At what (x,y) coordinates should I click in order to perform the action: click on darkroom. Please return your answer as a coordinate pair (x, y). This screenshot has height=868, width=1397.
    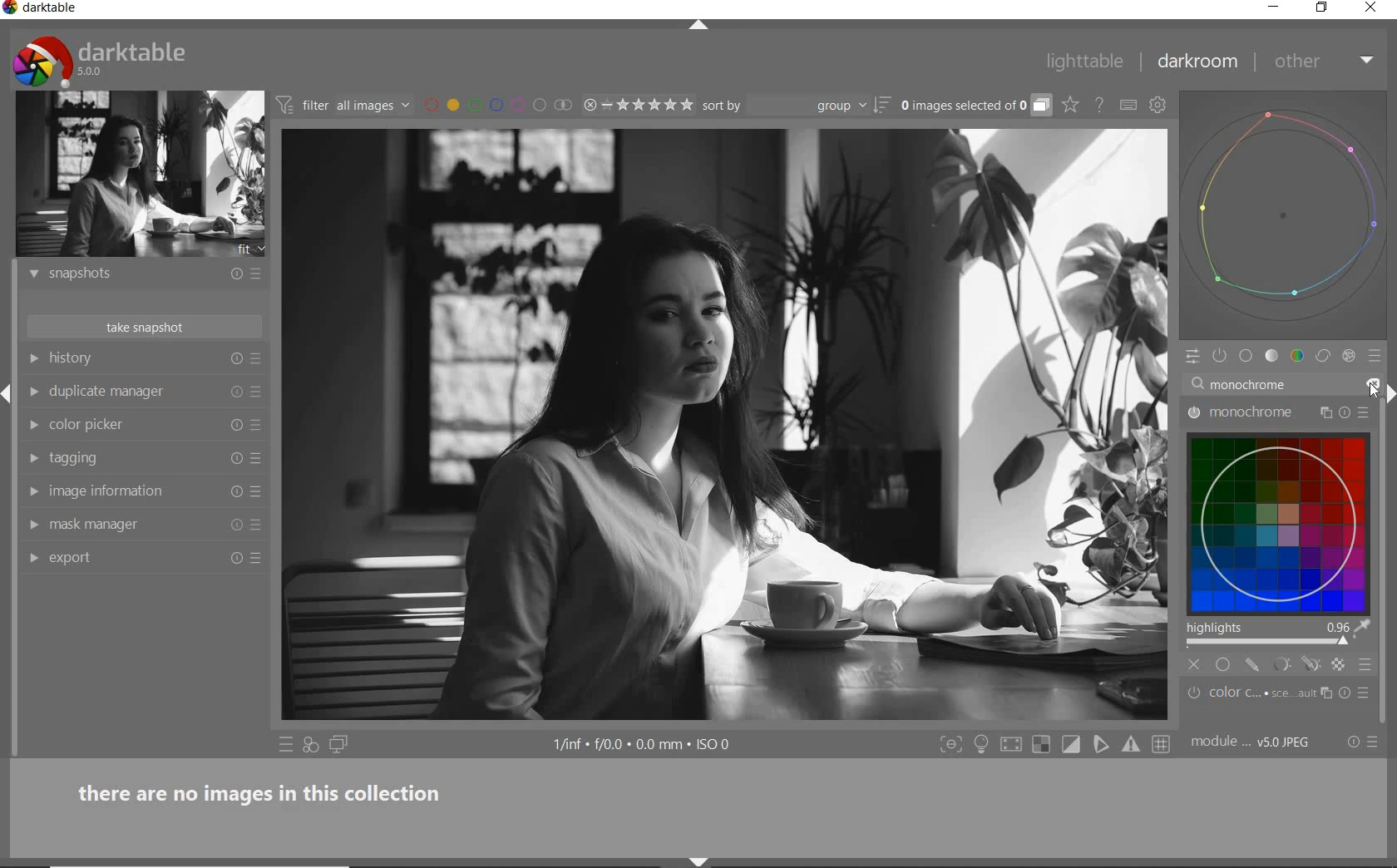
    Looking at the image, I should click on (1198, 65).